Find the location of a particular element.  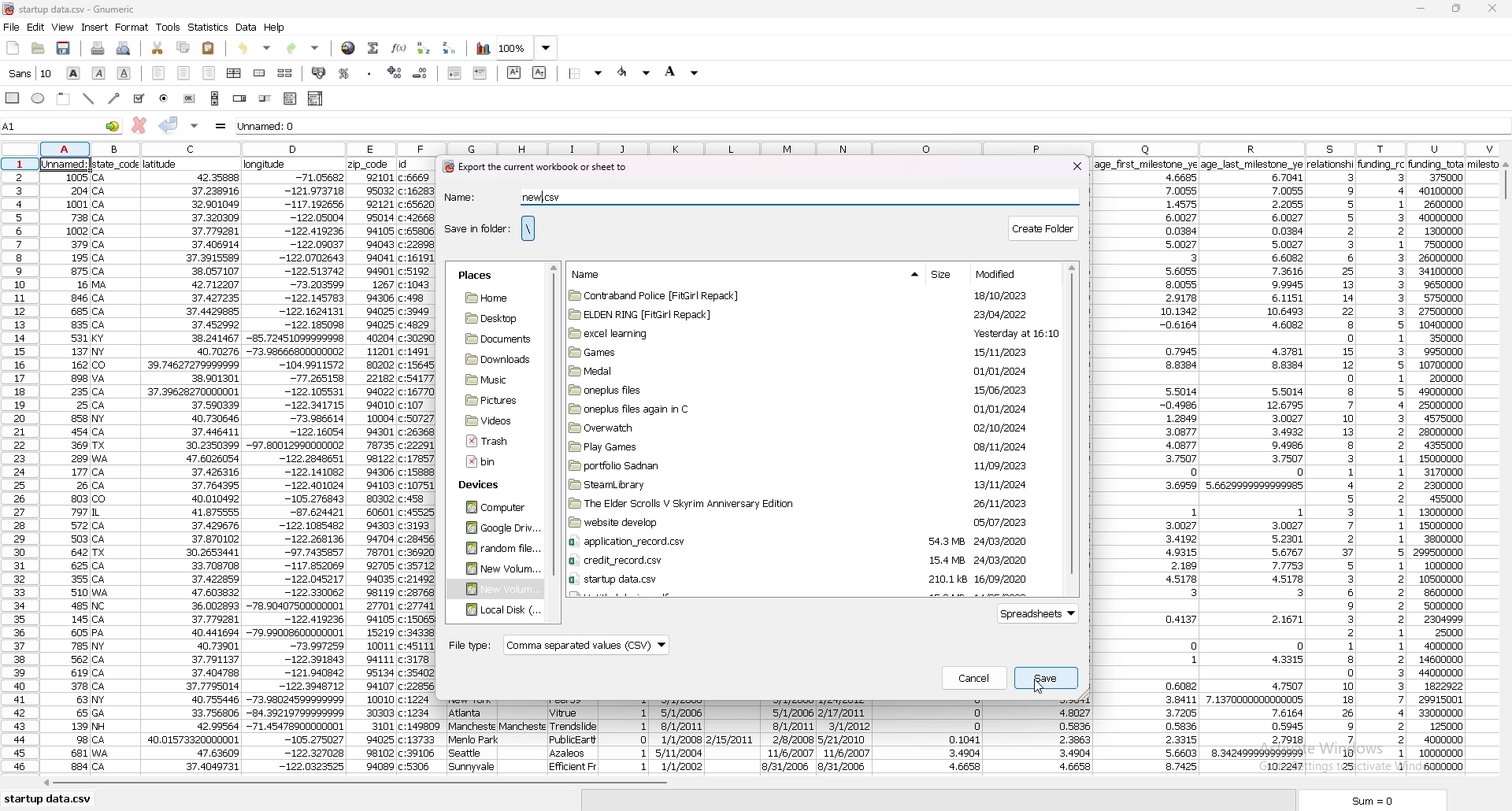

minimize is located at coordinates (1421, 9).